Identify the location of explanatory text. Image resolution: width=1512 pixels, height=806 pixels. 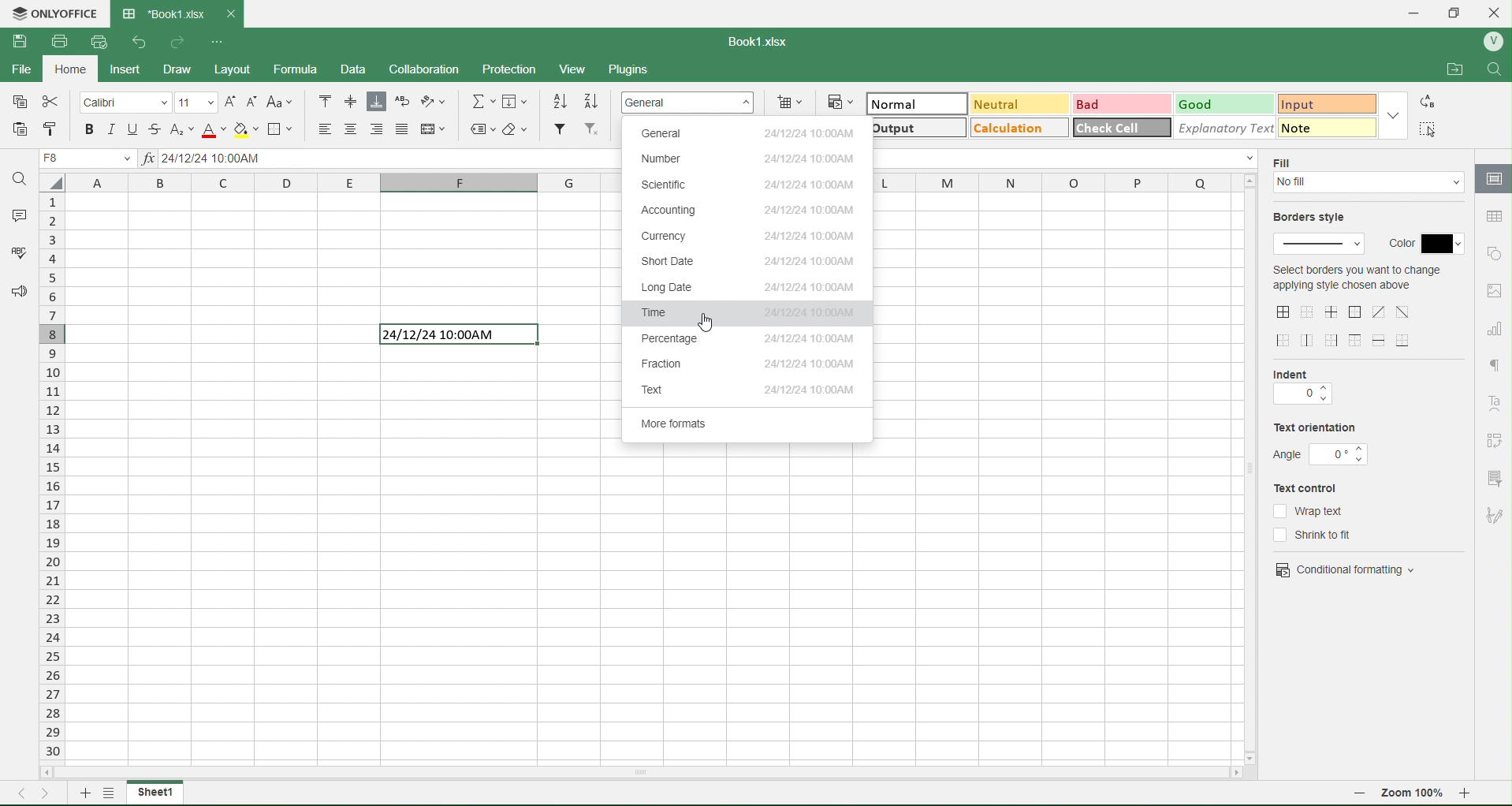
(1218, 127).